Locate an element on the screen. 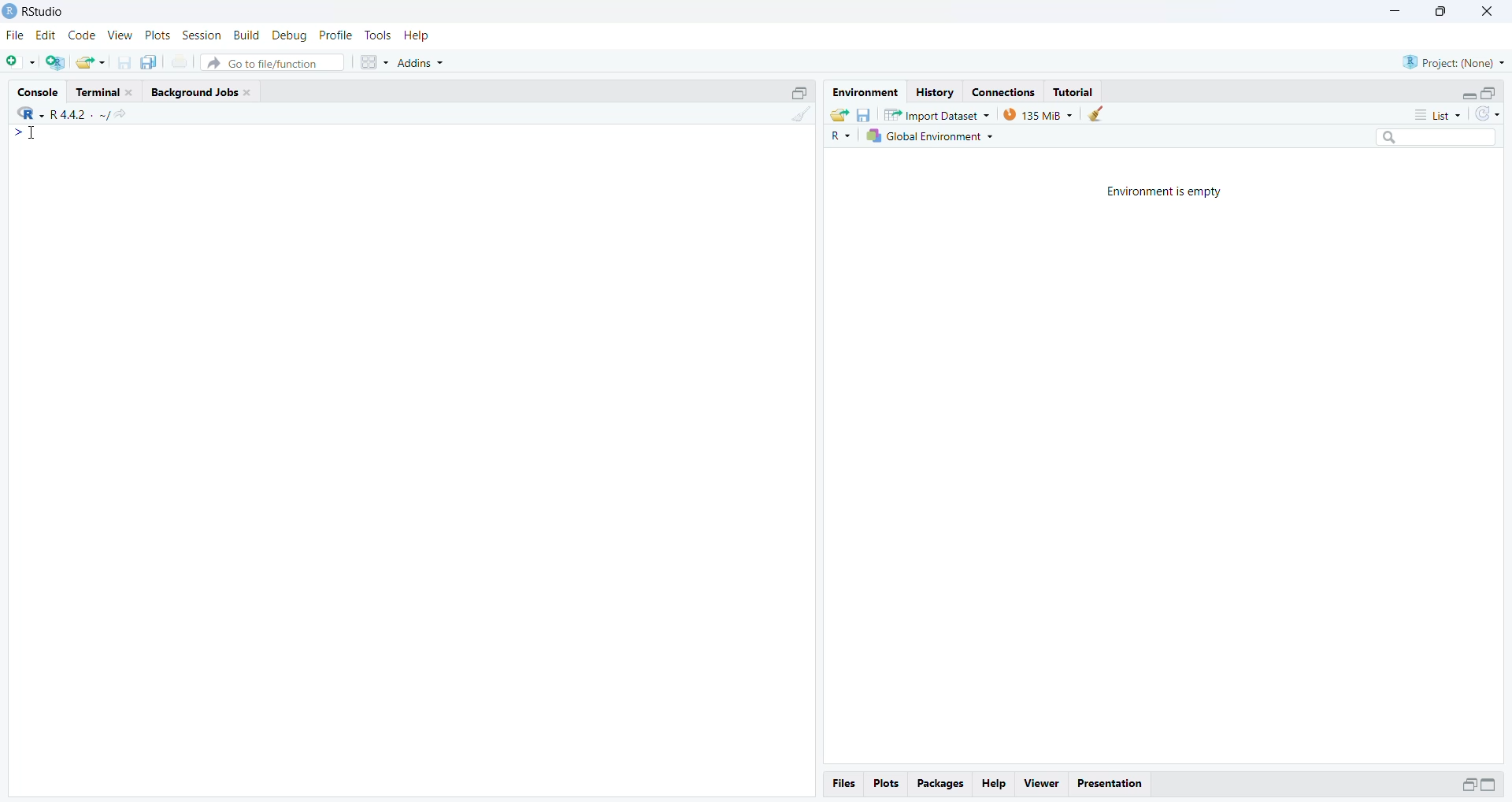 The height and width of the screenshot is (802, 1512). R.4.4.2~/ is located at coordinates (74, 113).